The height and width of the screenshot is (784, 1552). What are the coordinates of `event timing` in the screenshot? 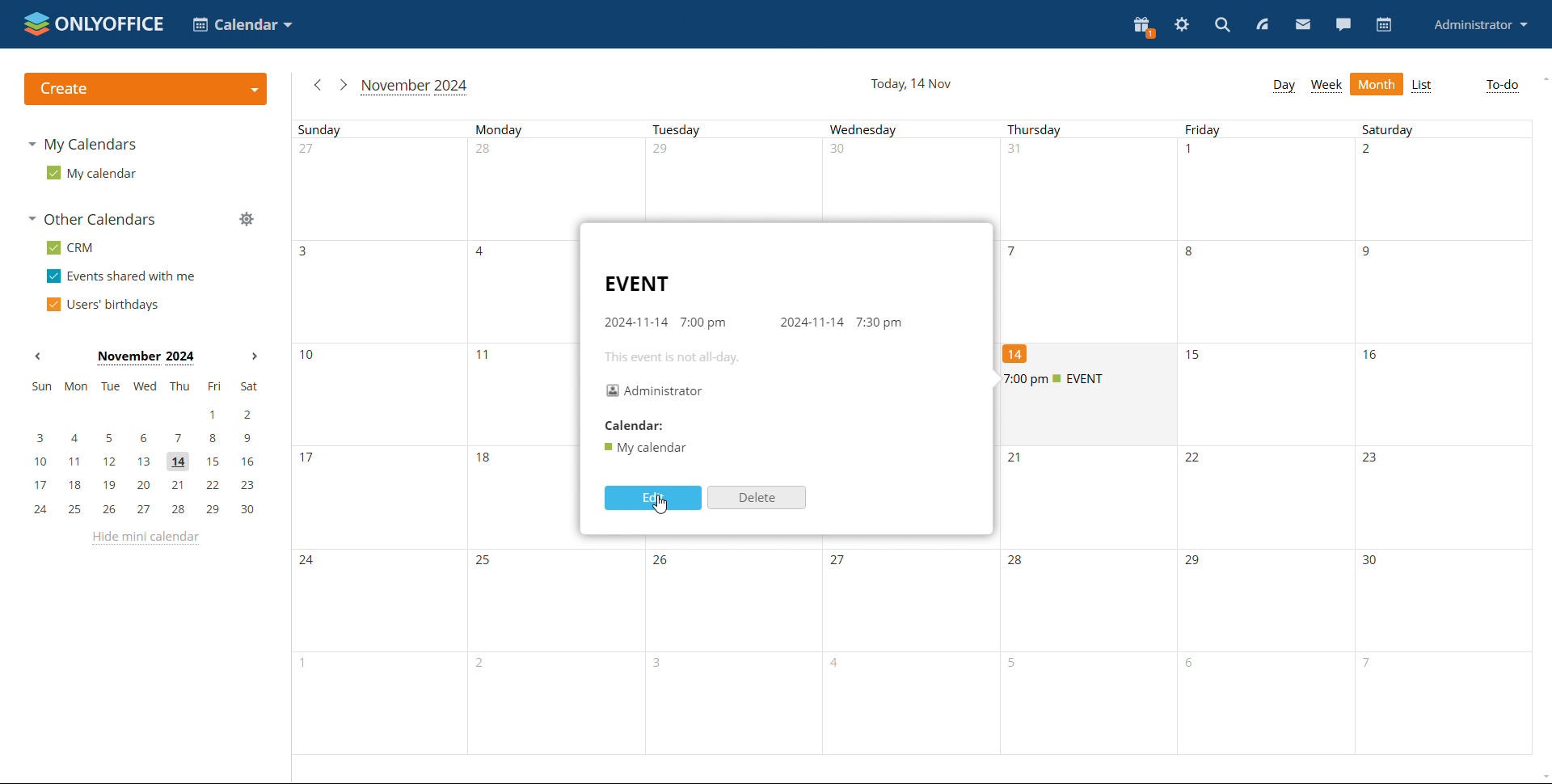 It's located at (751, 323).